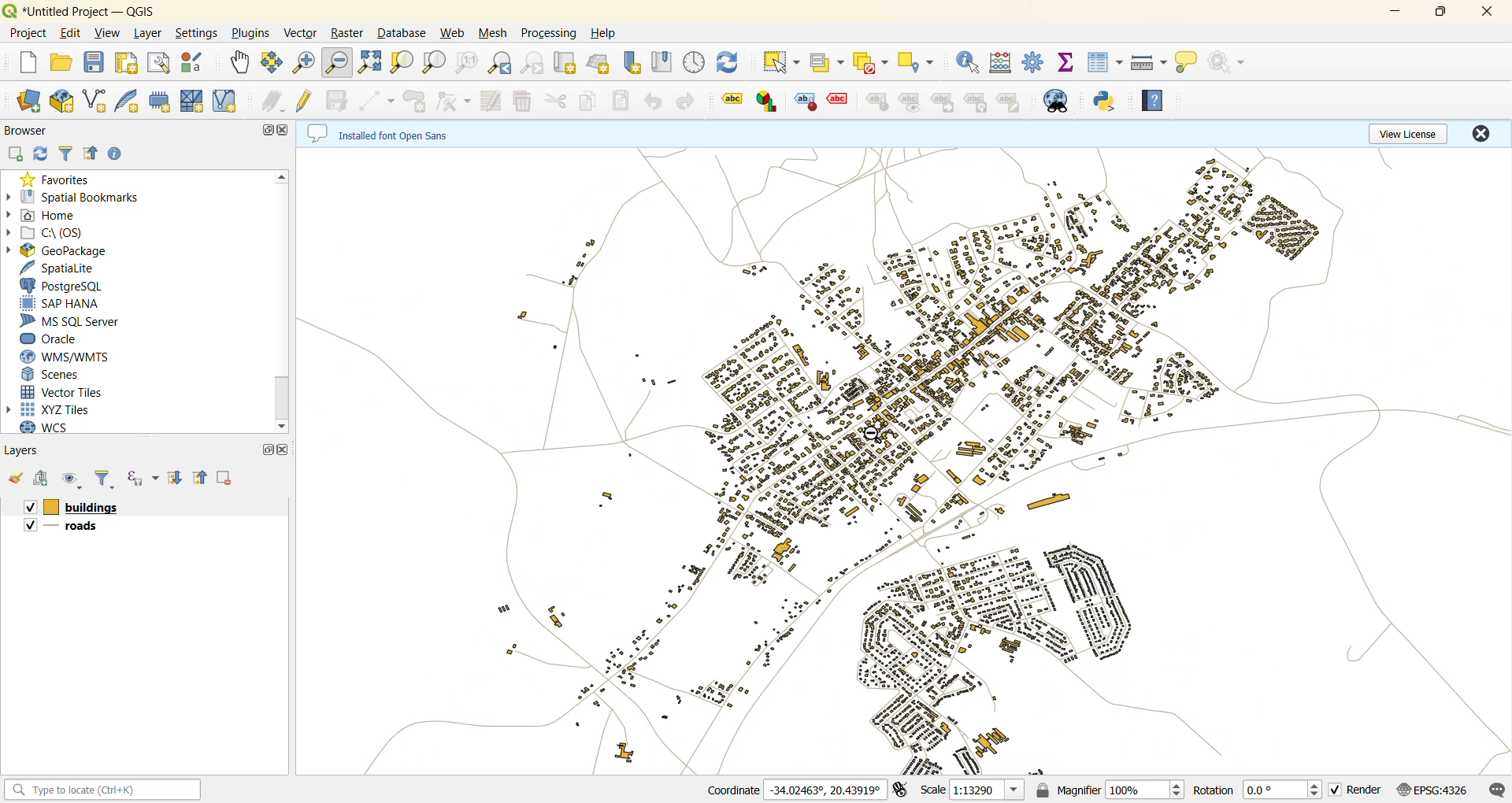 This screenshot has height=803, width=1512. Describe the element at coordinates (684, 101) in the screenshot. I see `redo` at that location.